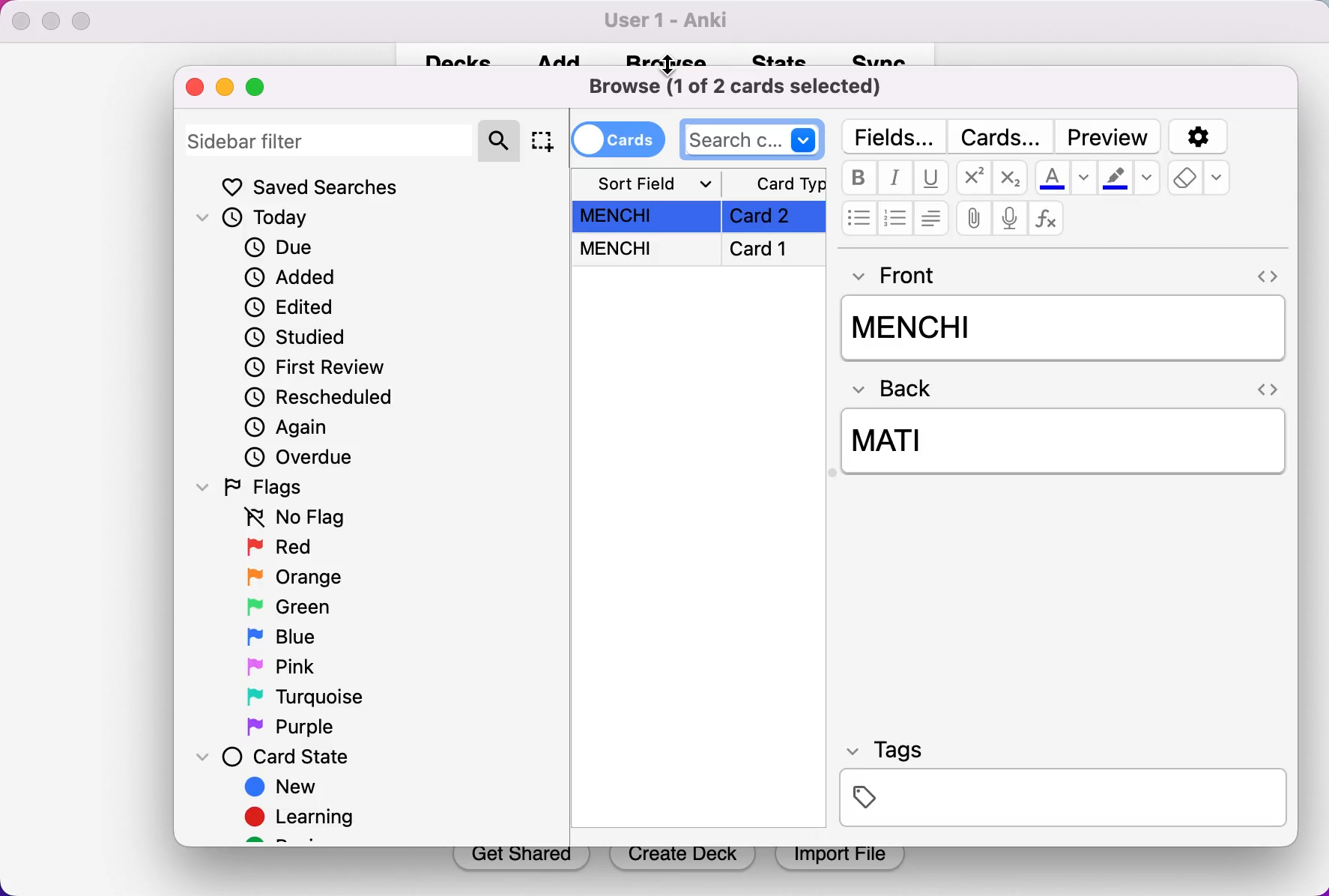 This screenshot has width=1329, height=896. I want to click on search cards, so click(754, 138).